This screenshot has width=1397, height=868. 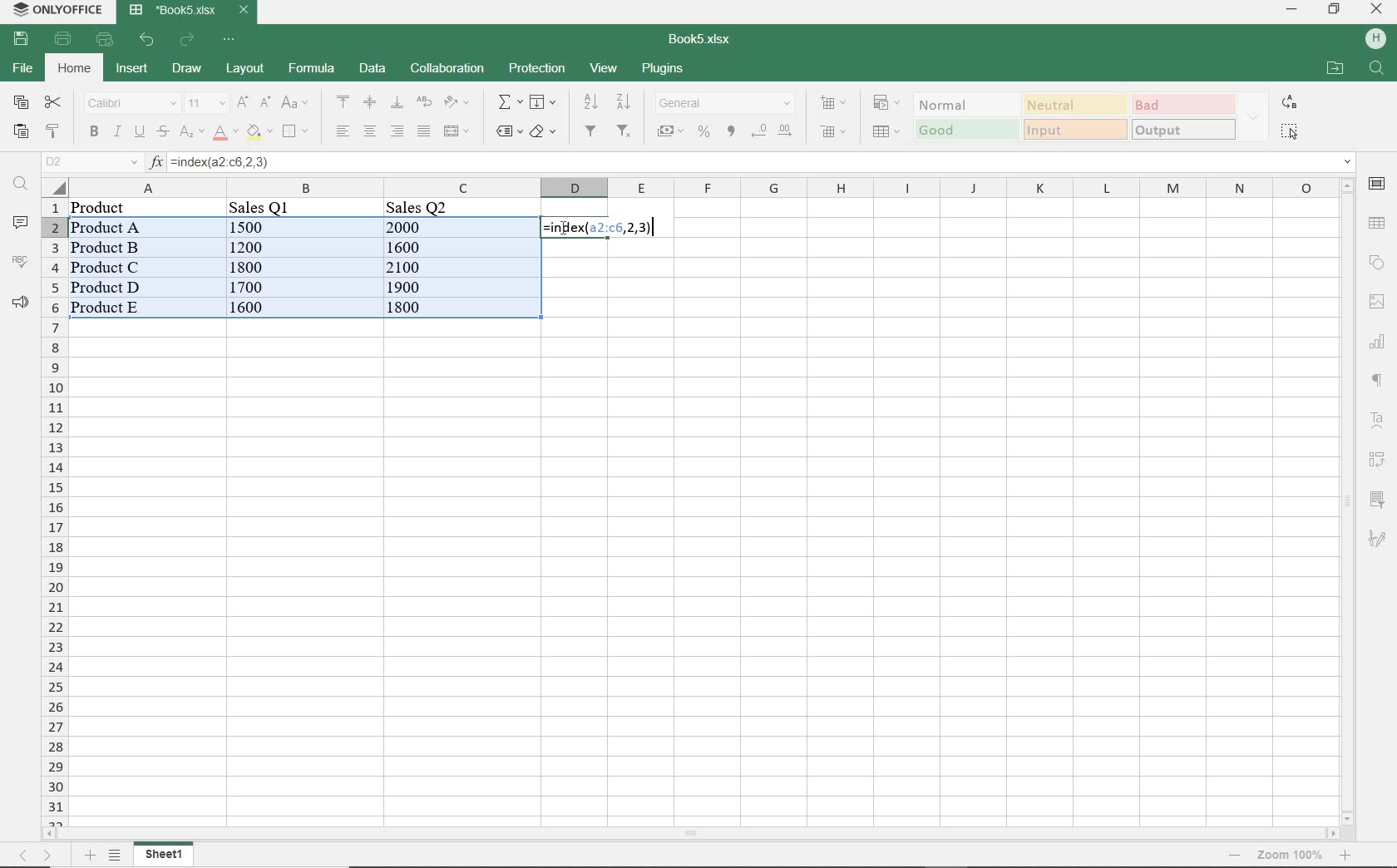 I want to click on select all, so click(x=1290, y=133).